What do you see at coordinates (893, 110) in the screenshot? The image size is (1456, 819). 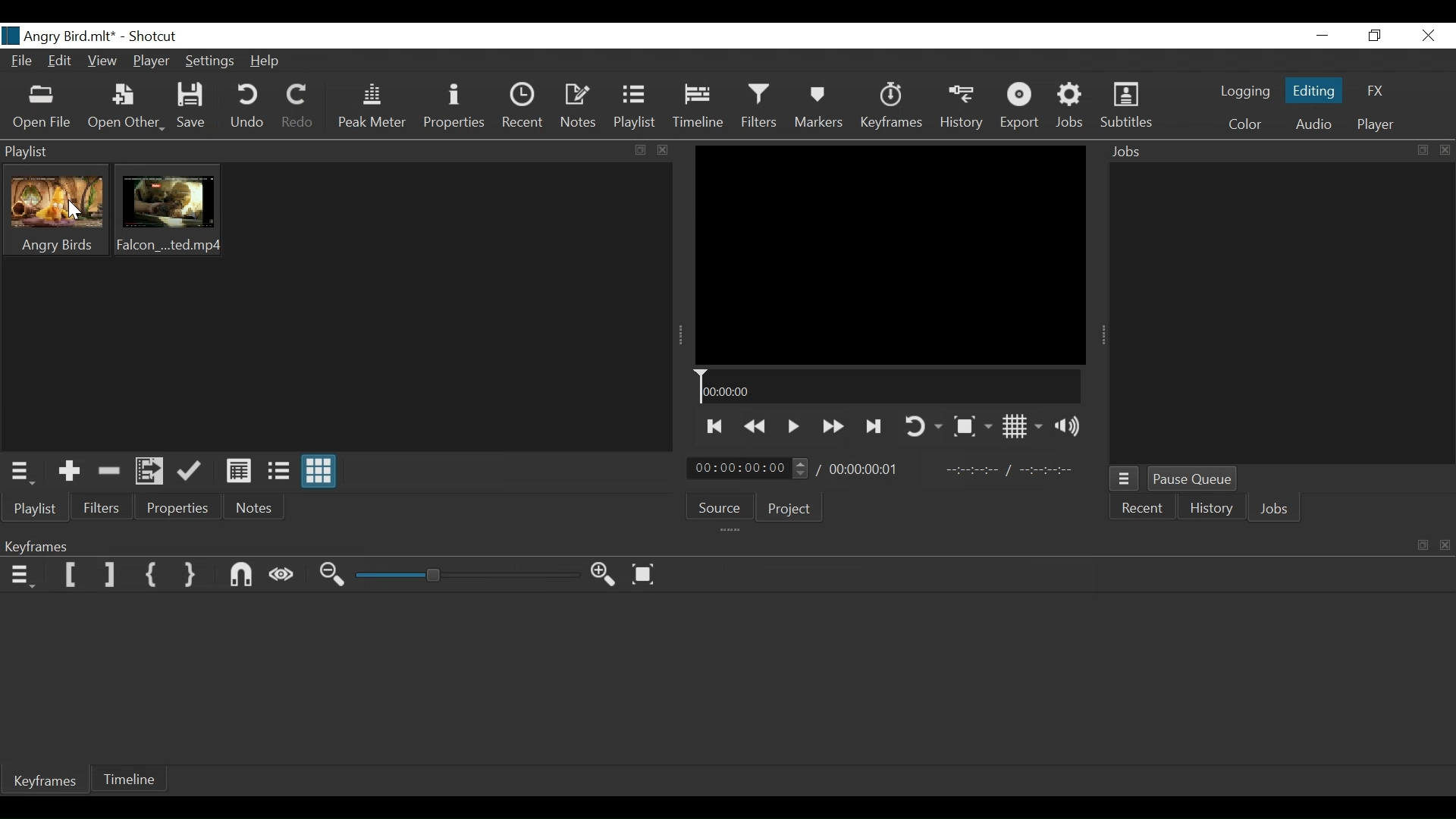 I see `Keyframe` at bounding box center [893, 110].